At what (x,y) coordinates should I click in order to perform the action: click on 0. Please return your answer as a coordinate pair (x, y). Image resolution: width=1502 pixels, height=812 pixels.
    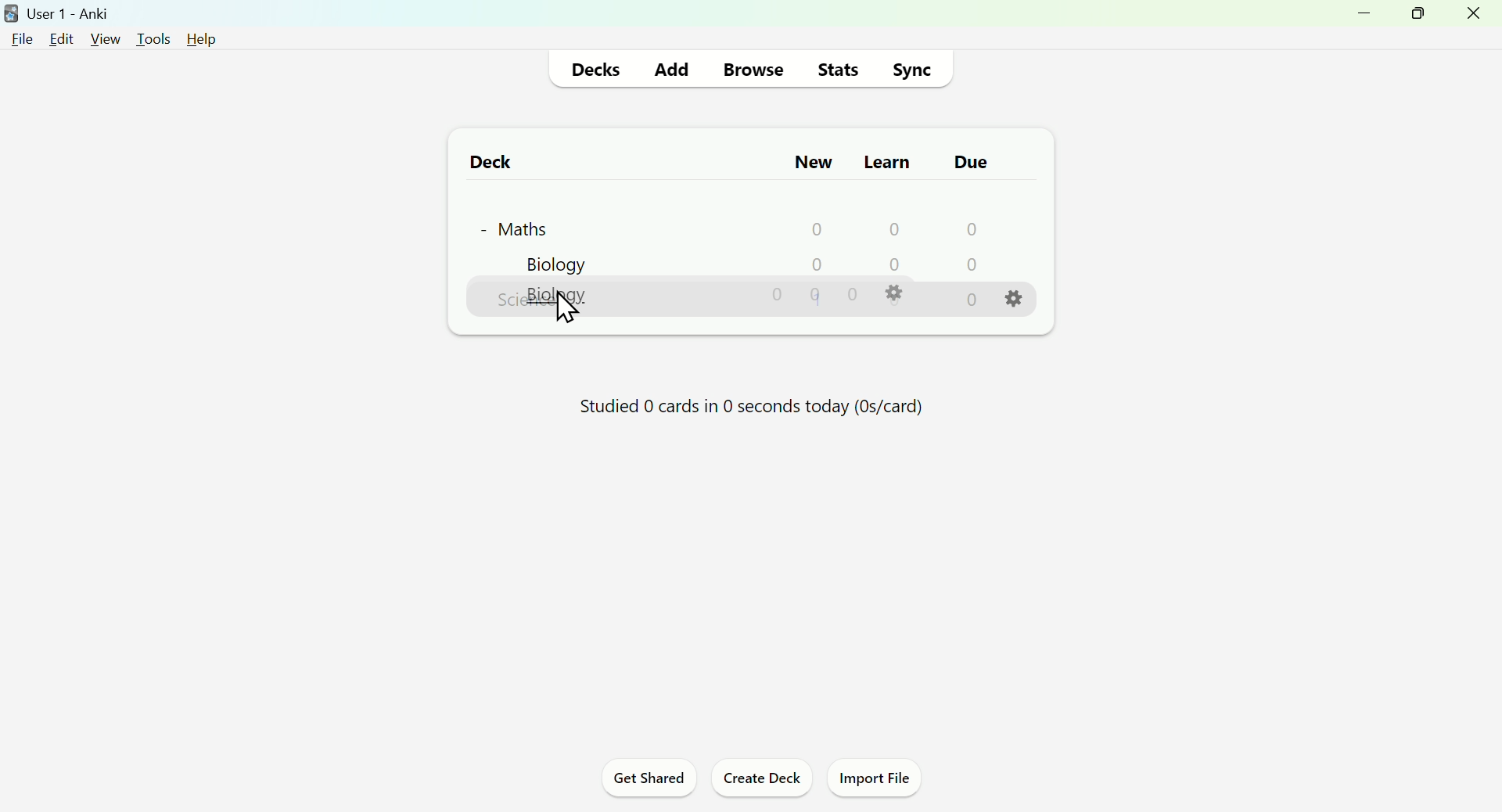
    Looking at the image, I should click on (967, 229).